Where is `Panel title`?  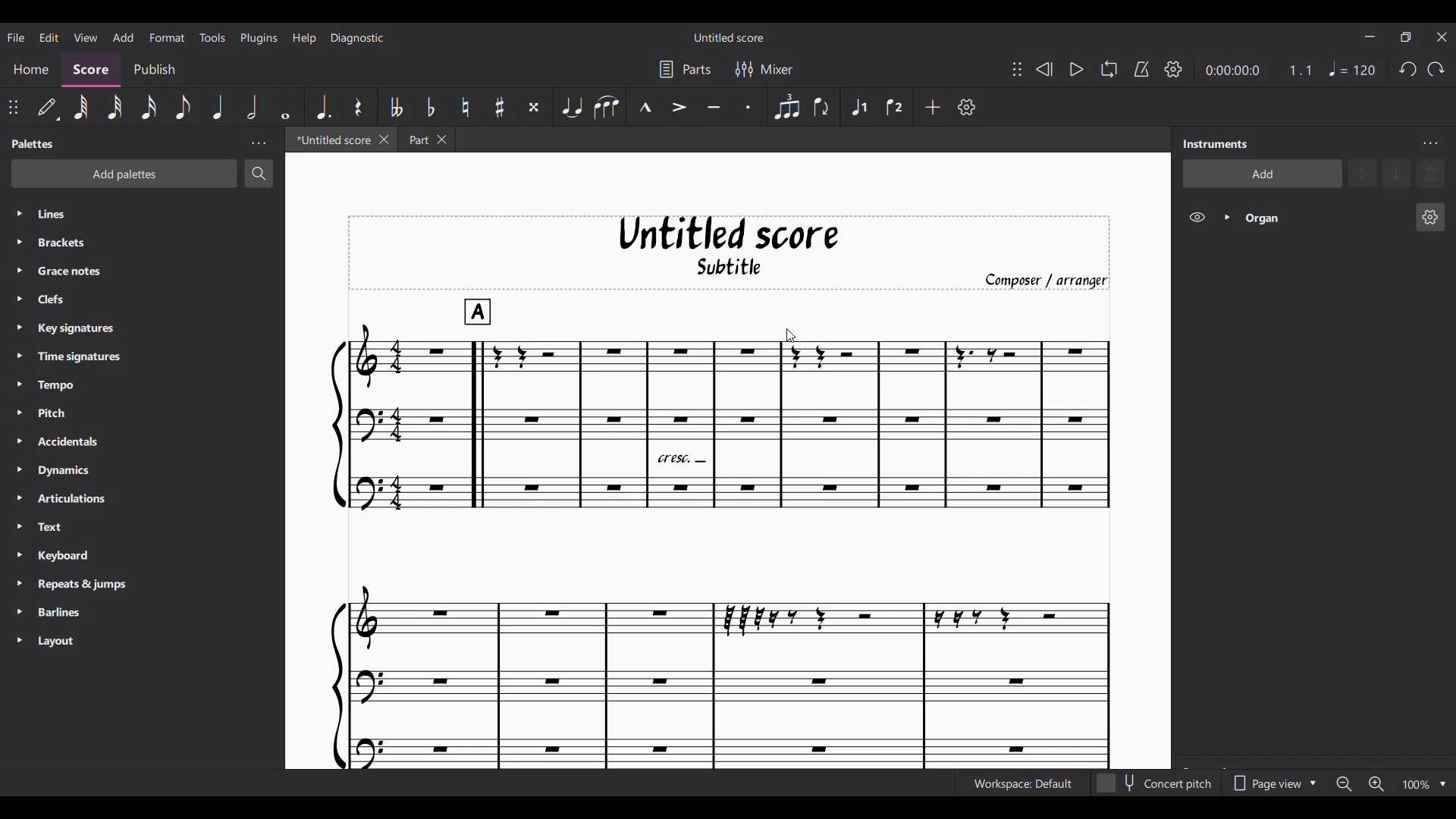
Panel title is located at coordinates (1216, 143).